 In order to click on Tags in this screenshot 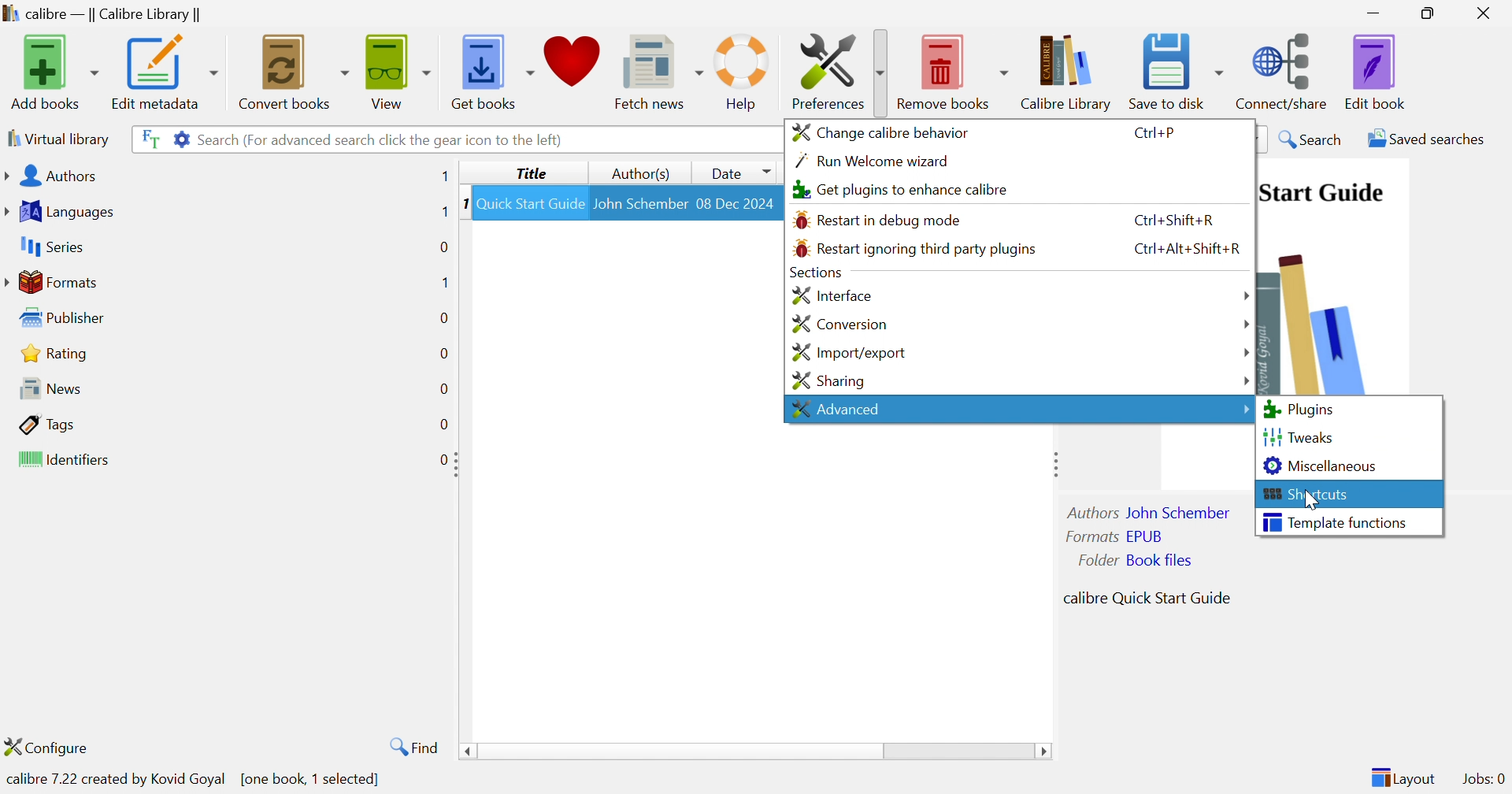, I will do `click(48, 424)`.